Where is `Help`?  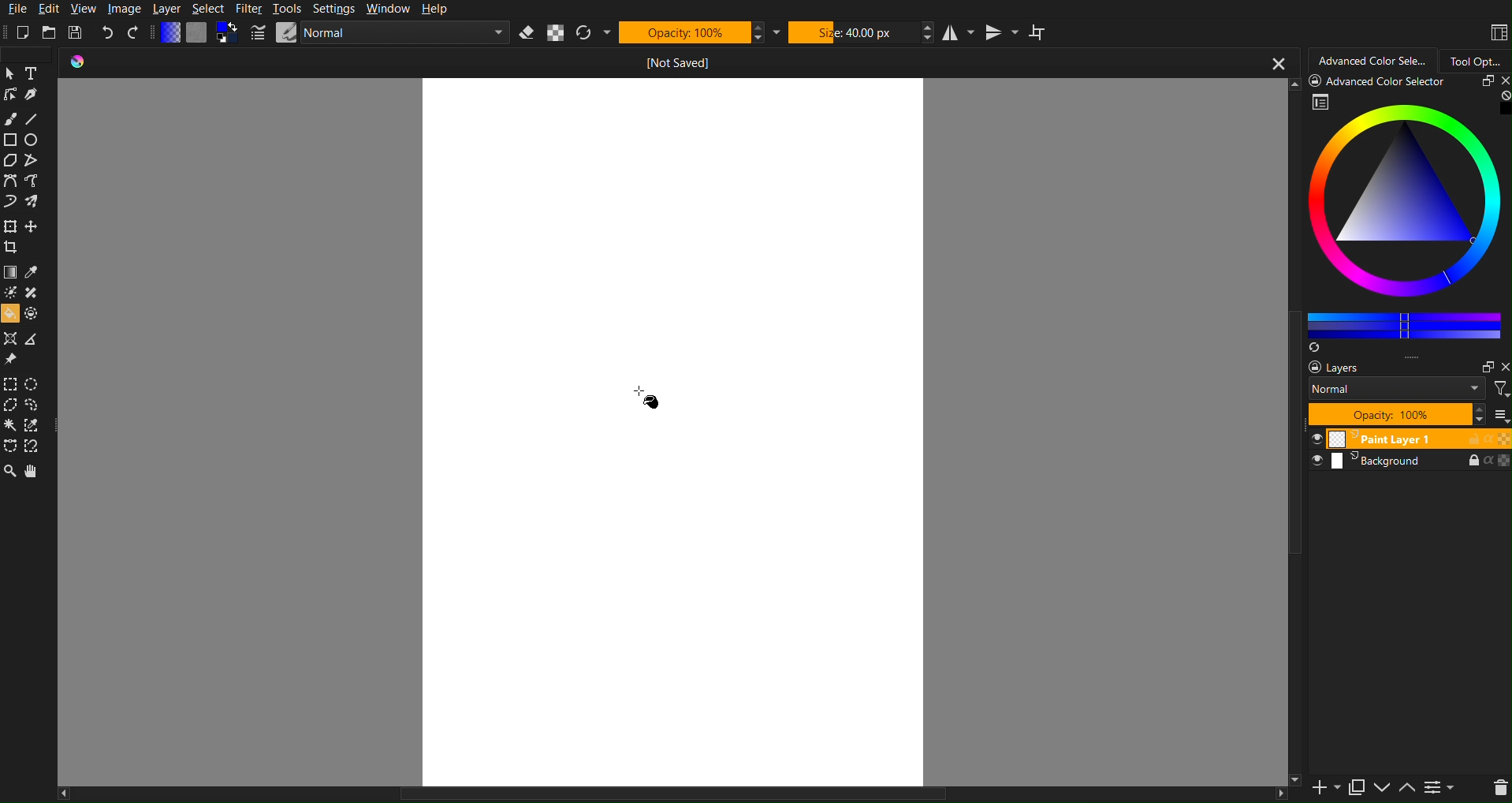
Help is located at coordinates (434, 9).